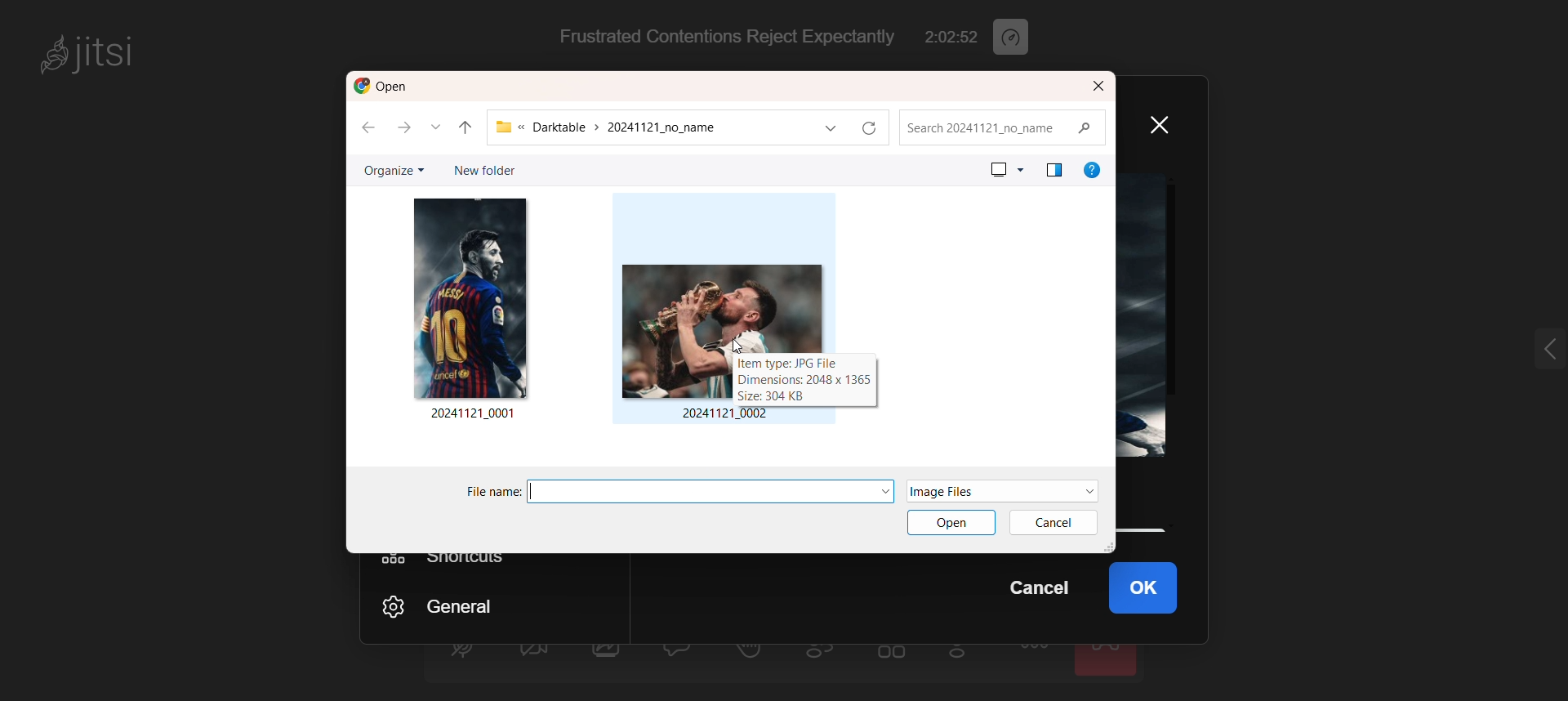  What do you see at coordinates (1053, 169) in the screenshot?
I see `layout` at bounding box center [1053, 169].